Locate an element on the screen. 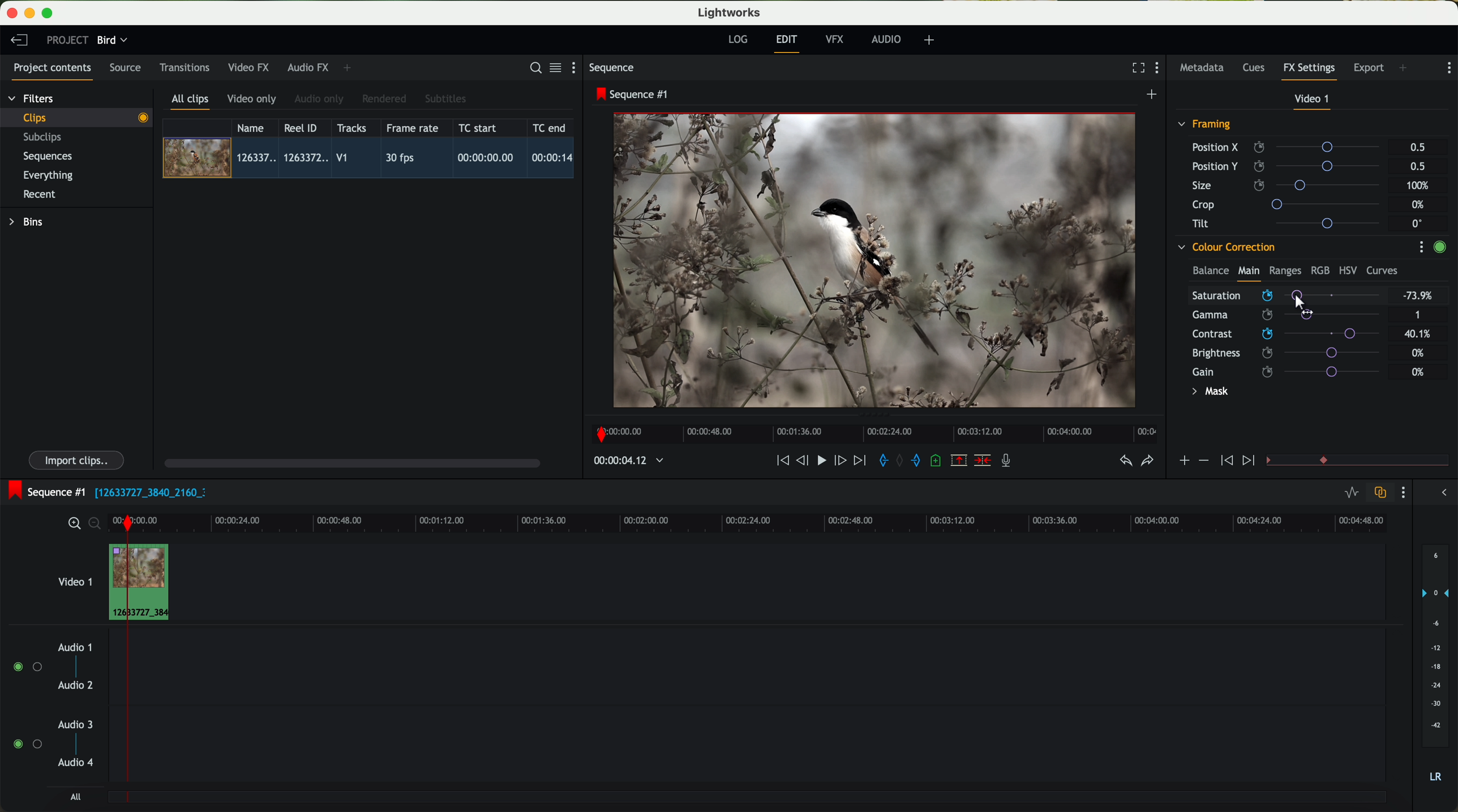 The width and height of the screenshot is (1458, 812). icon is located at coordinates (1183, 462).